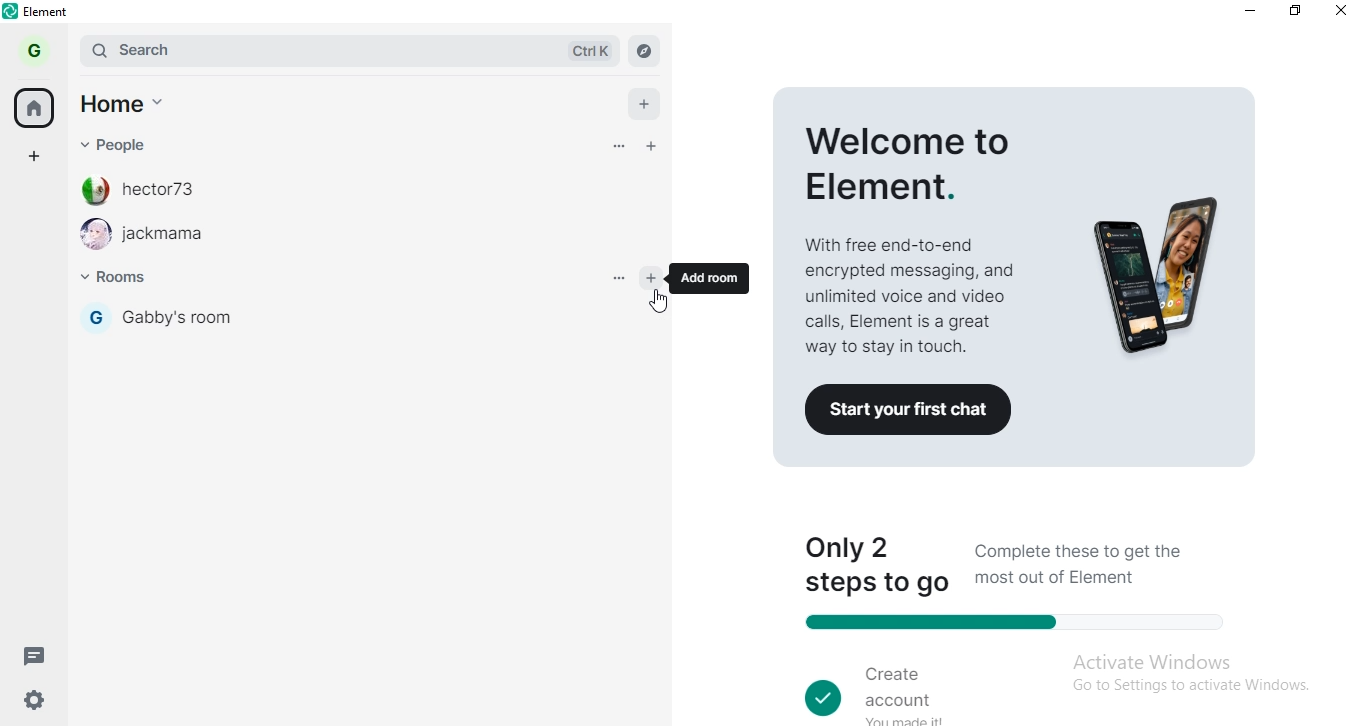  I want to click on add people, so click(655, 146).